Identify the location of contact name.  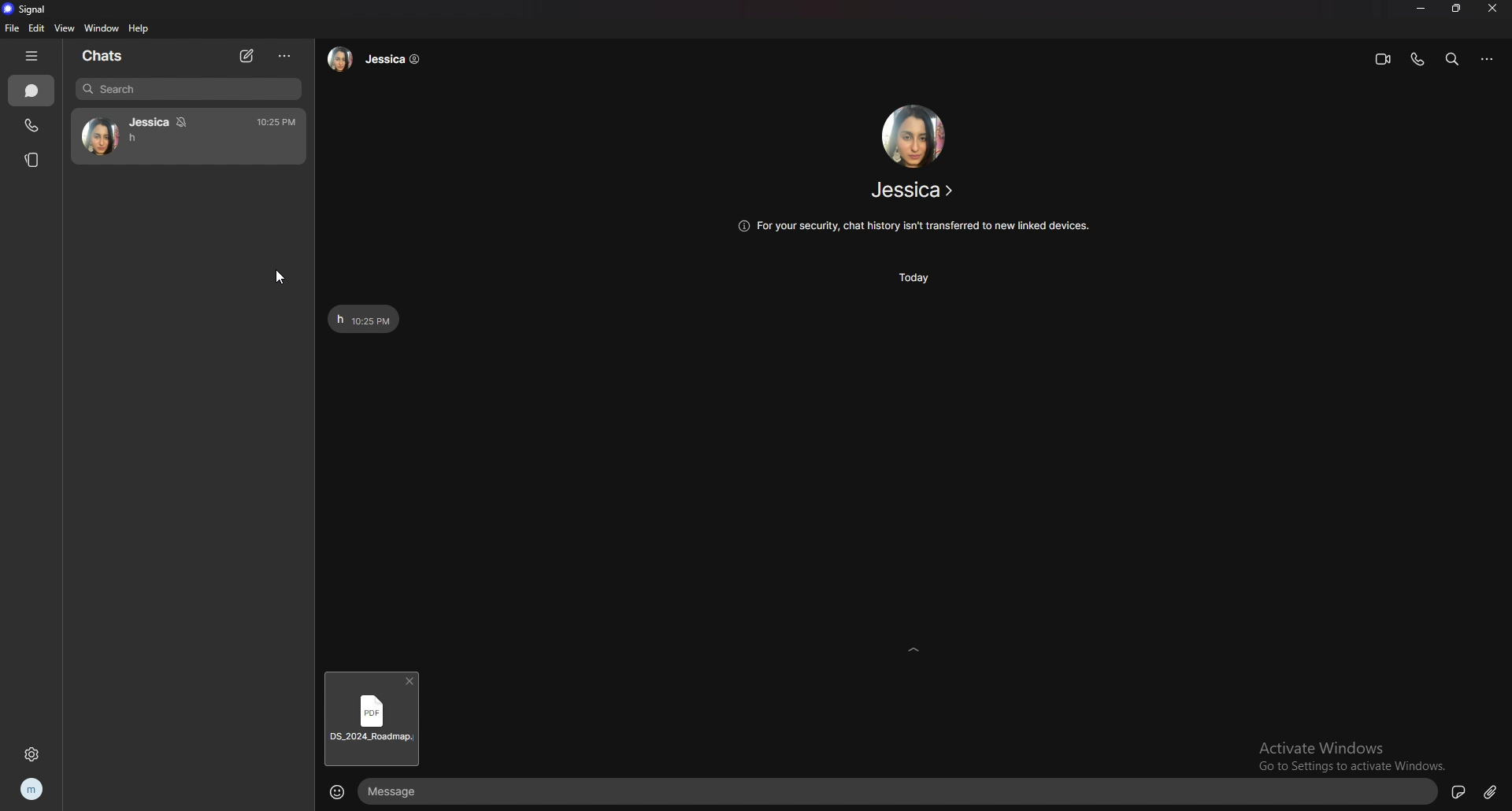
(915, 190).